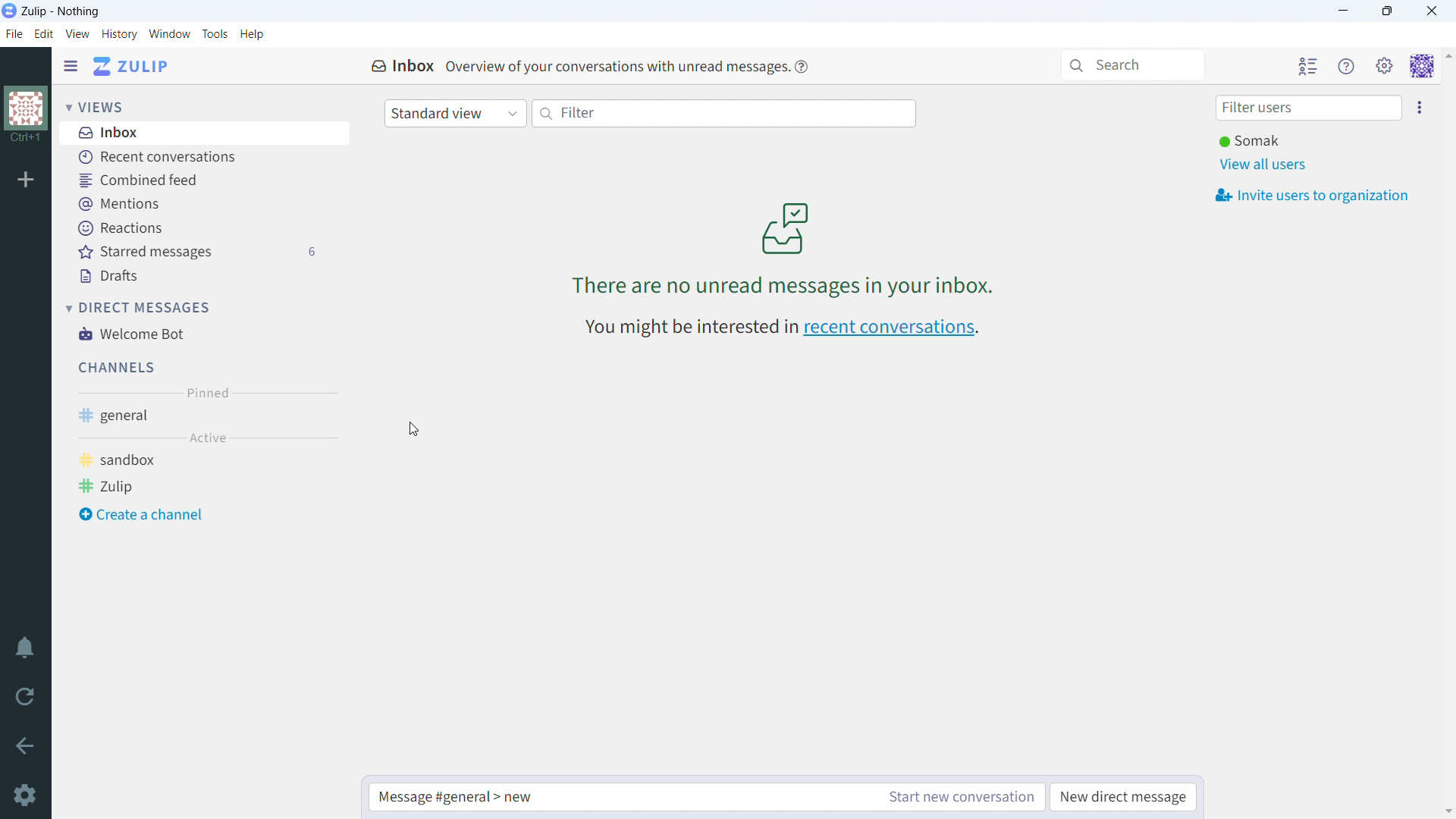 The image size is (1456, 819). What do you see at coordinates (140, 307) in the screenshot?
I see `direct messages` at bounding box center [140, 307].